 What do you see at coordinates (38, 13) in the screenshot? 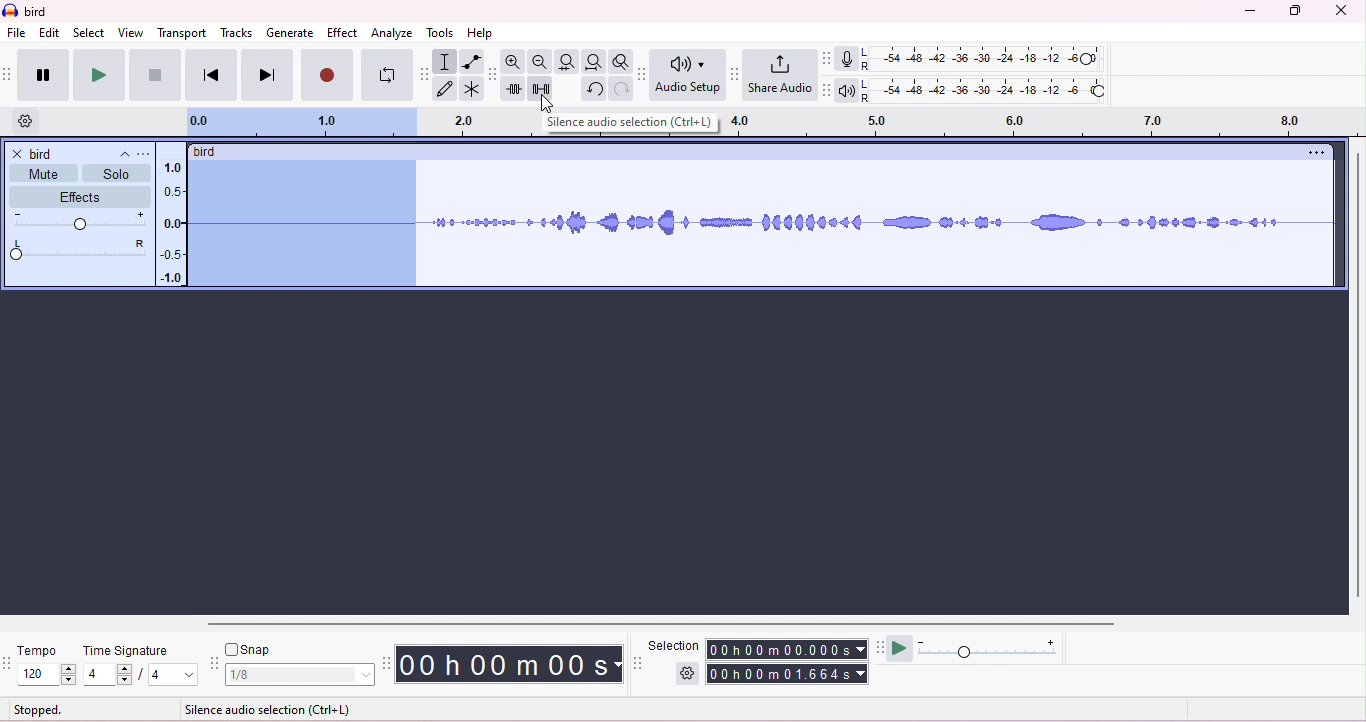
I see `bird` at bounding box center [38, 13].